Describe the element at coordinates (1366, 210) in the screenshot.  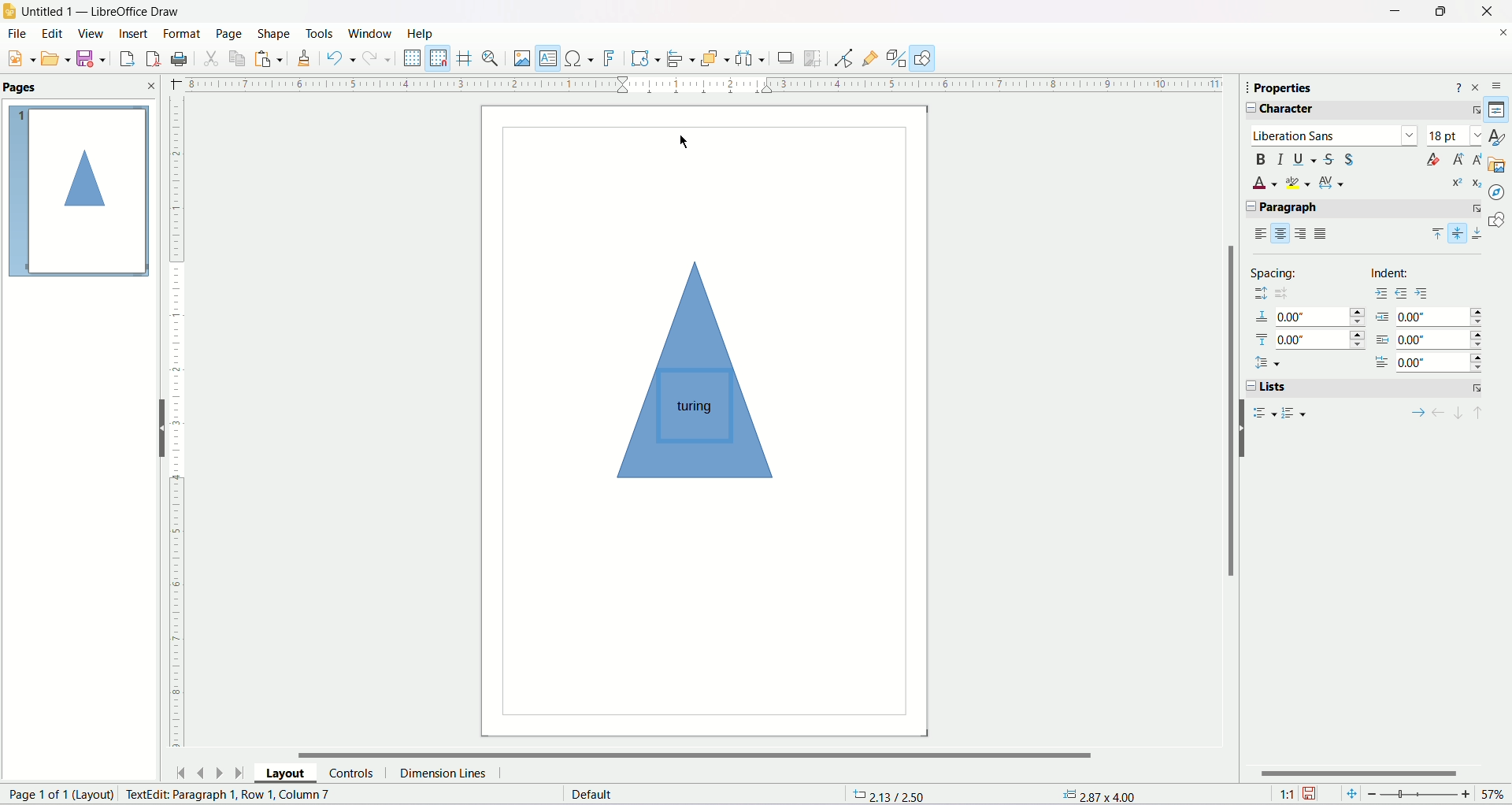
I see `paragraph` at that location.